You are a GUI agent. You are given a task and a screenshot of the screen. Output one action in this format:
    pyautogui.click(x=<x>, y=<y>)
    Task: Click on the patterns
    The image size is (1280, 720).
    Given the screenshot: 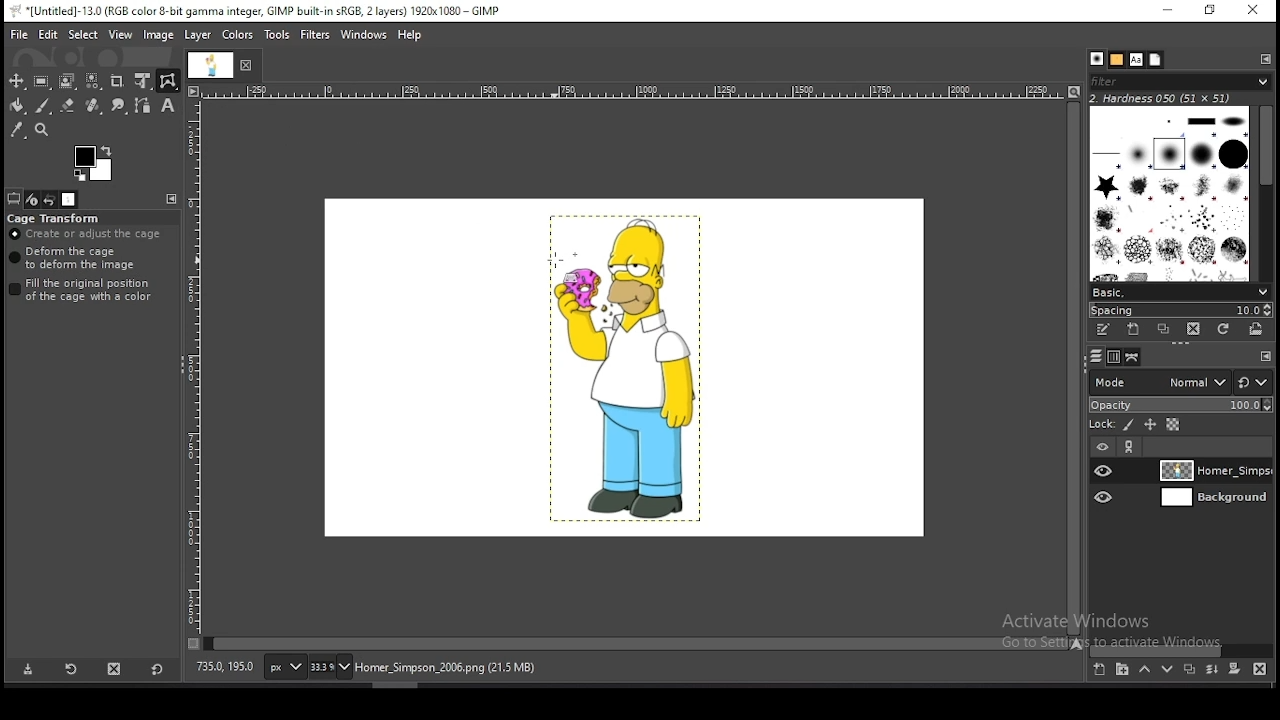 What is the action you would take?
    pyautogui.click(x=1116, y=60)
    